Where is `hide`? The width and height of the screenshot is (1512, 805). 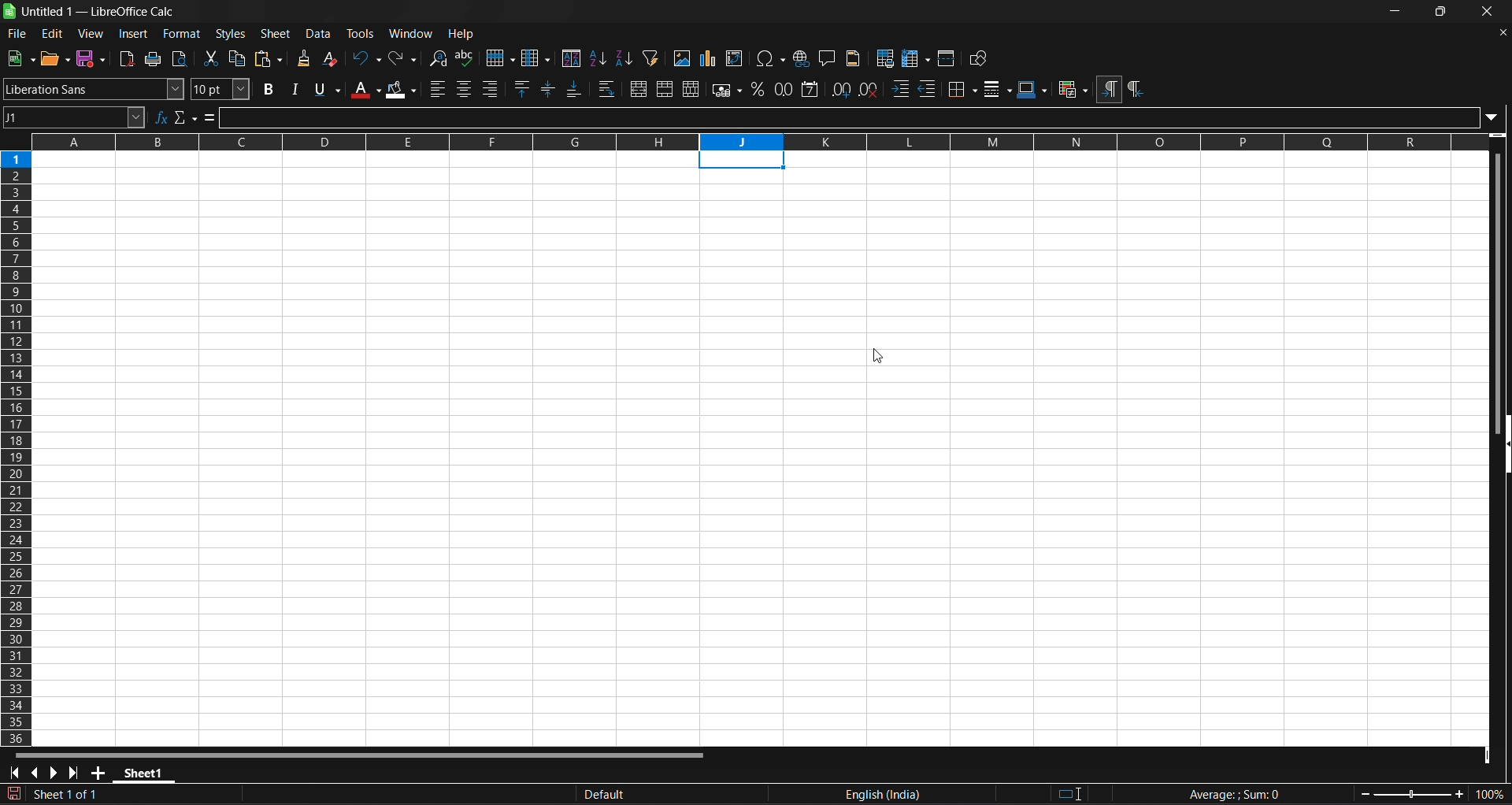
hide is located at coordinates (1503, 442).